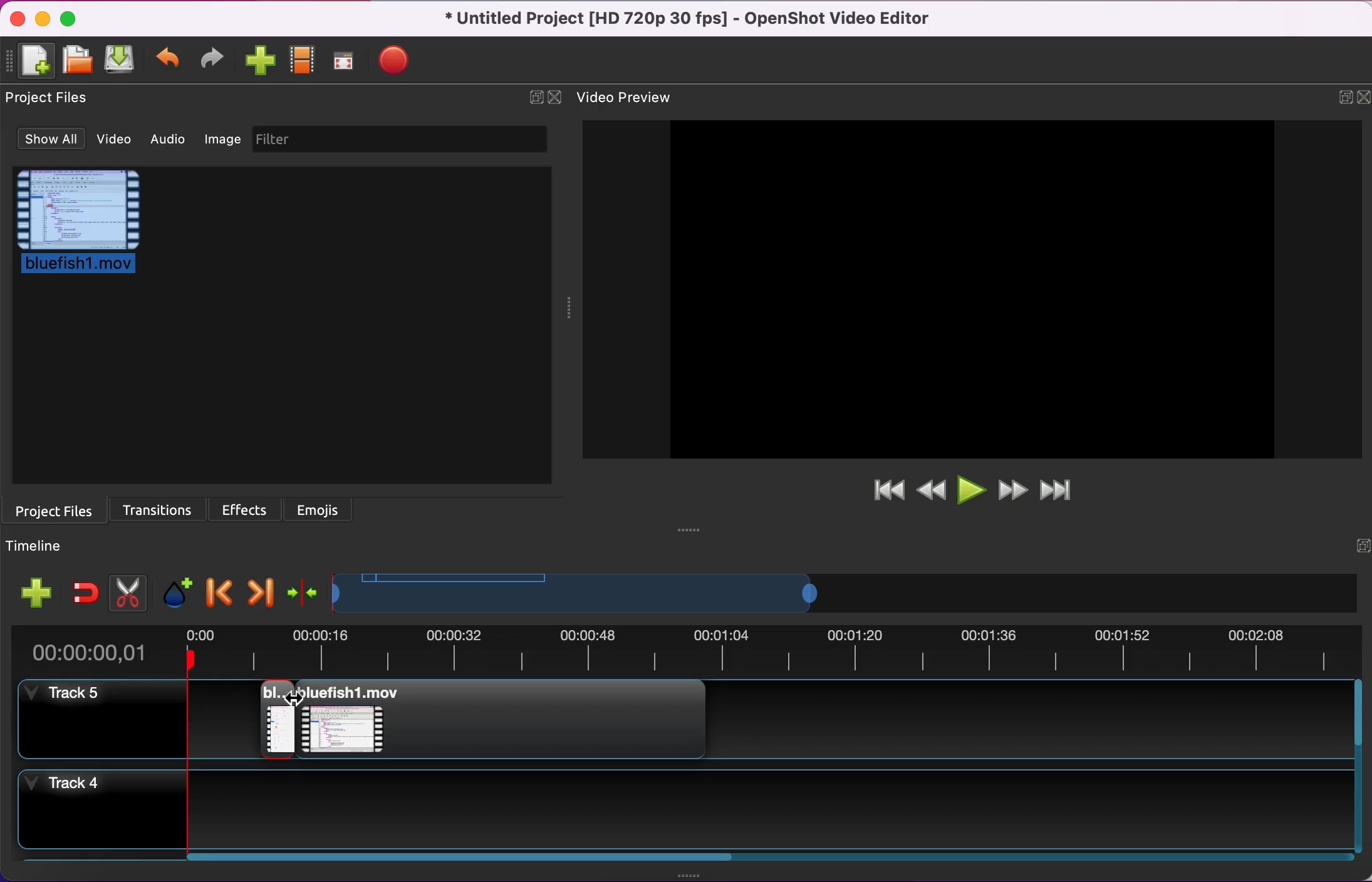  I want to click on project files, so click(55, 509).